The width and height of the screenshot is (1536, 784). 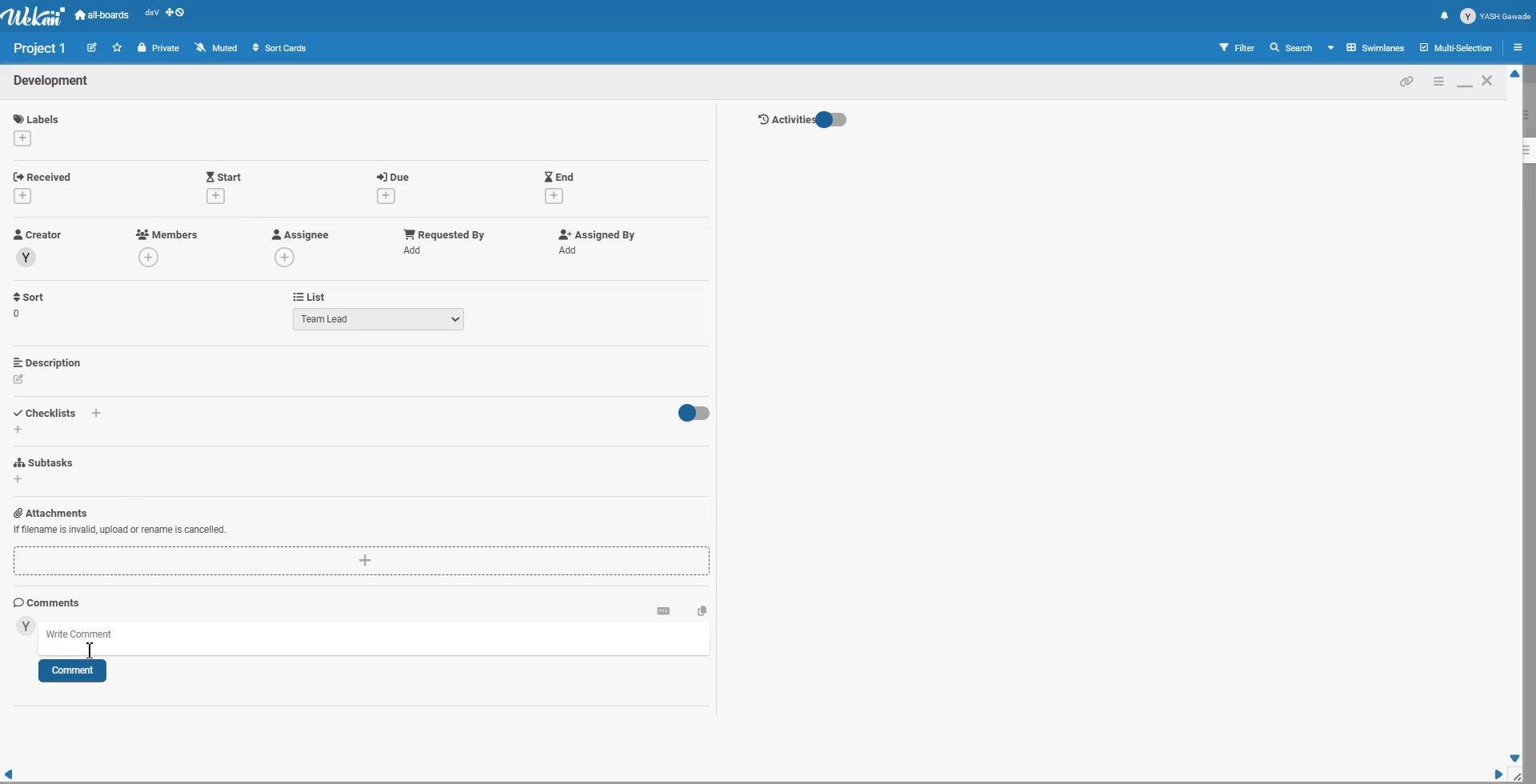 What do you see at coordinates (48, 411) in the screenshot?
I see `Add Checklist` at bounding box center [48, 411].